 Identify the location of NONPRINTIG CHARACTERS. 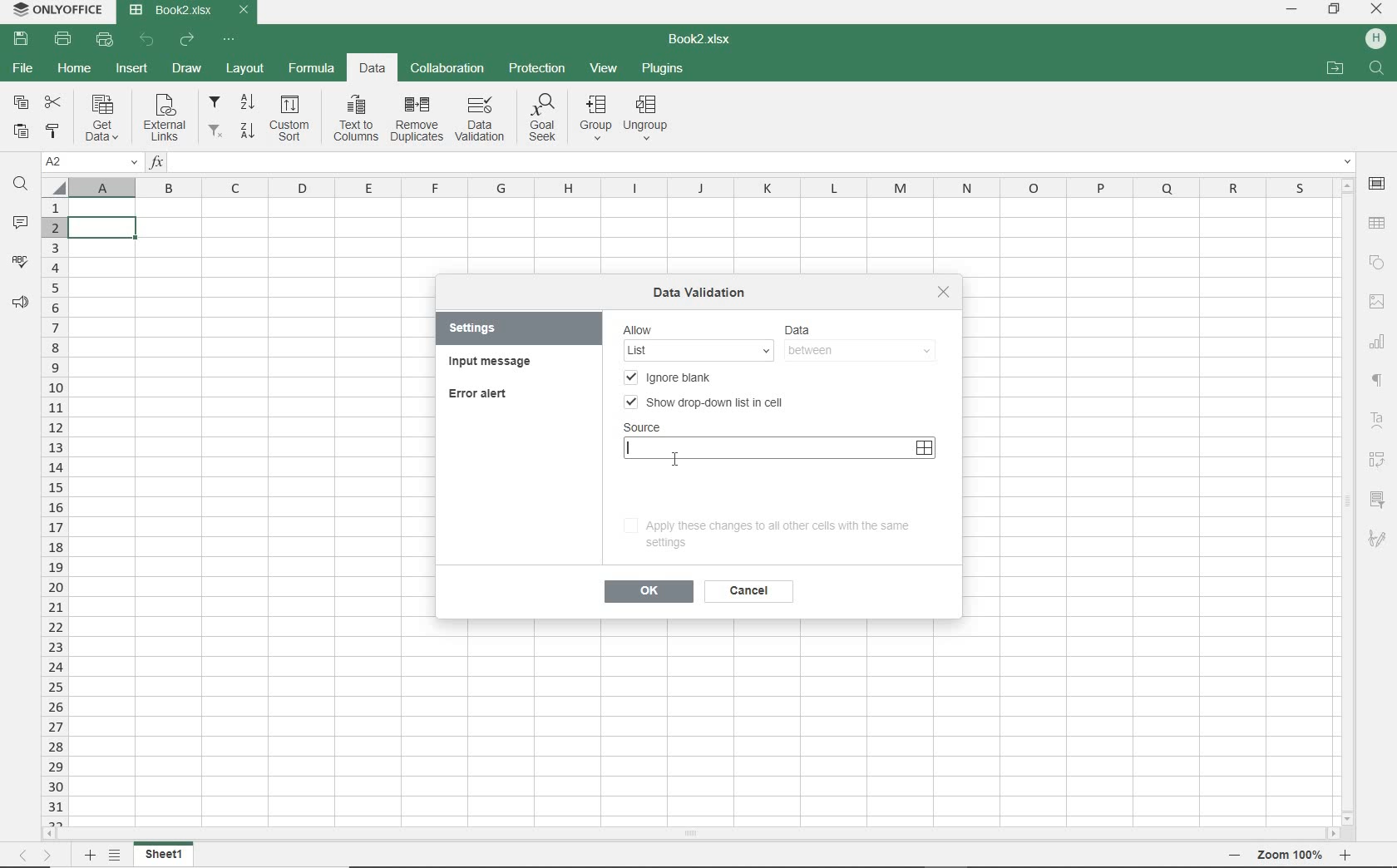
(1379, 382).